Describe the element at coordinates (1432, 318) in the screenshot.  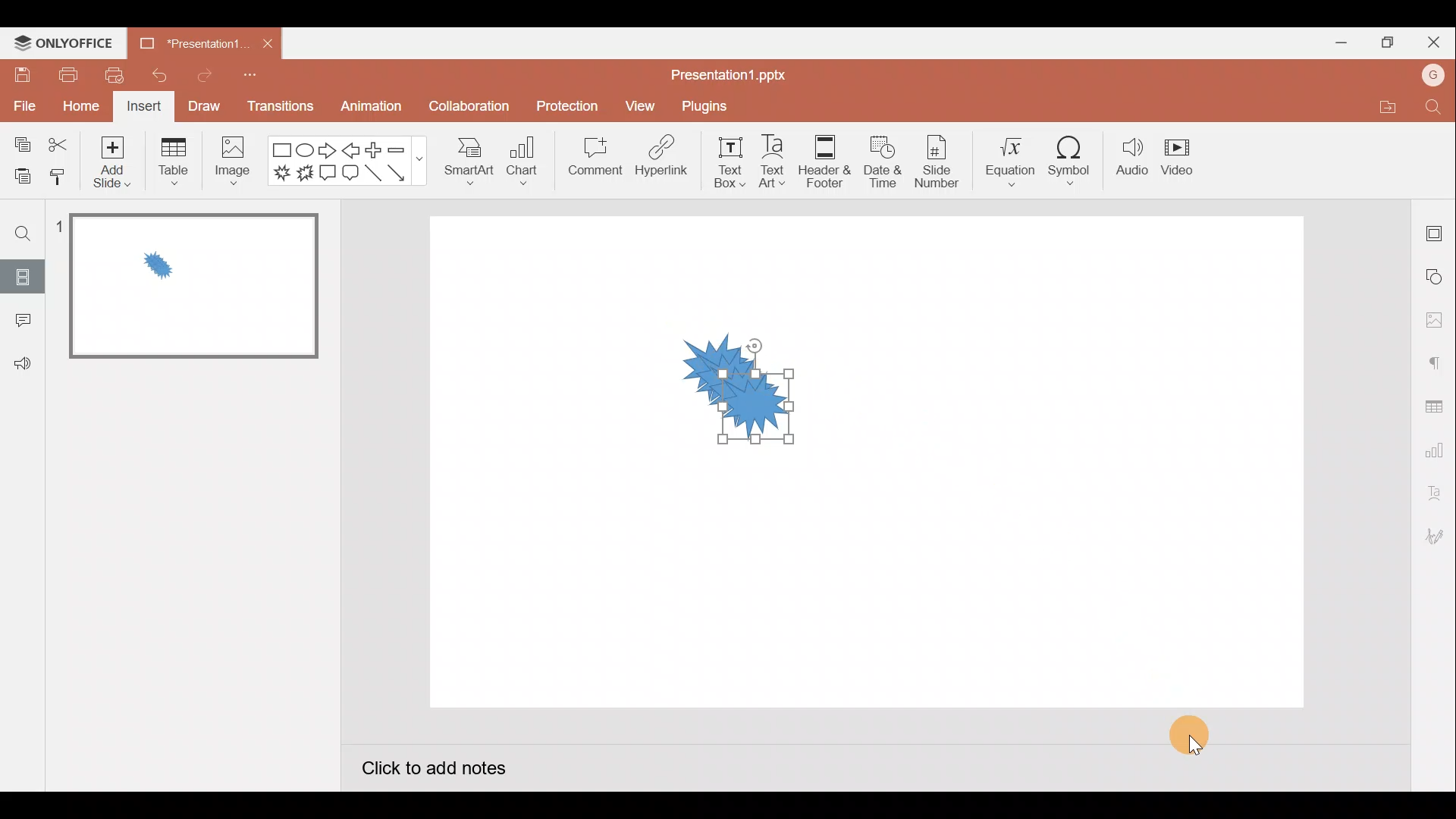
I see `Image settings` at that location.